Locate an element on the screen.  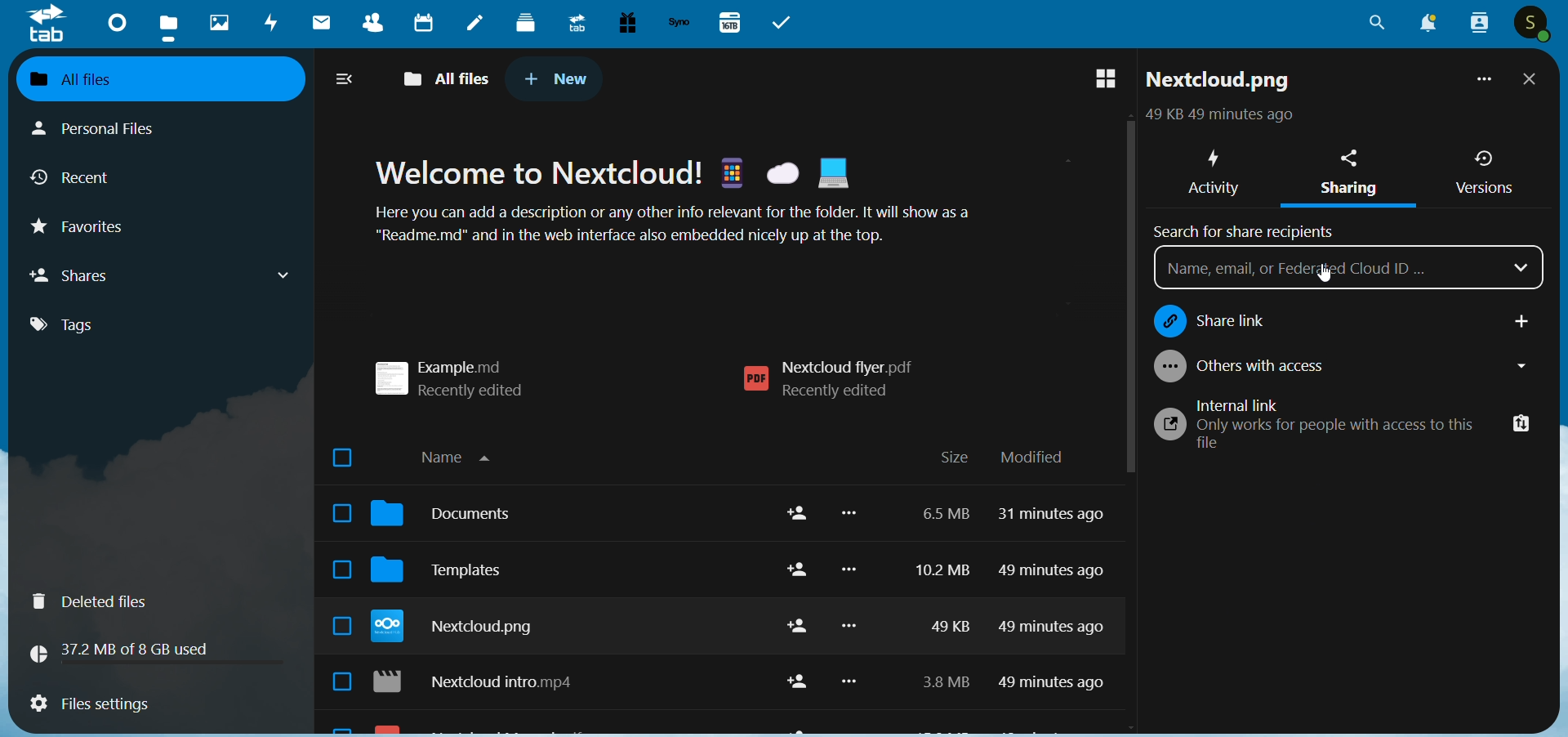
task is located at coordinates (786, 23).